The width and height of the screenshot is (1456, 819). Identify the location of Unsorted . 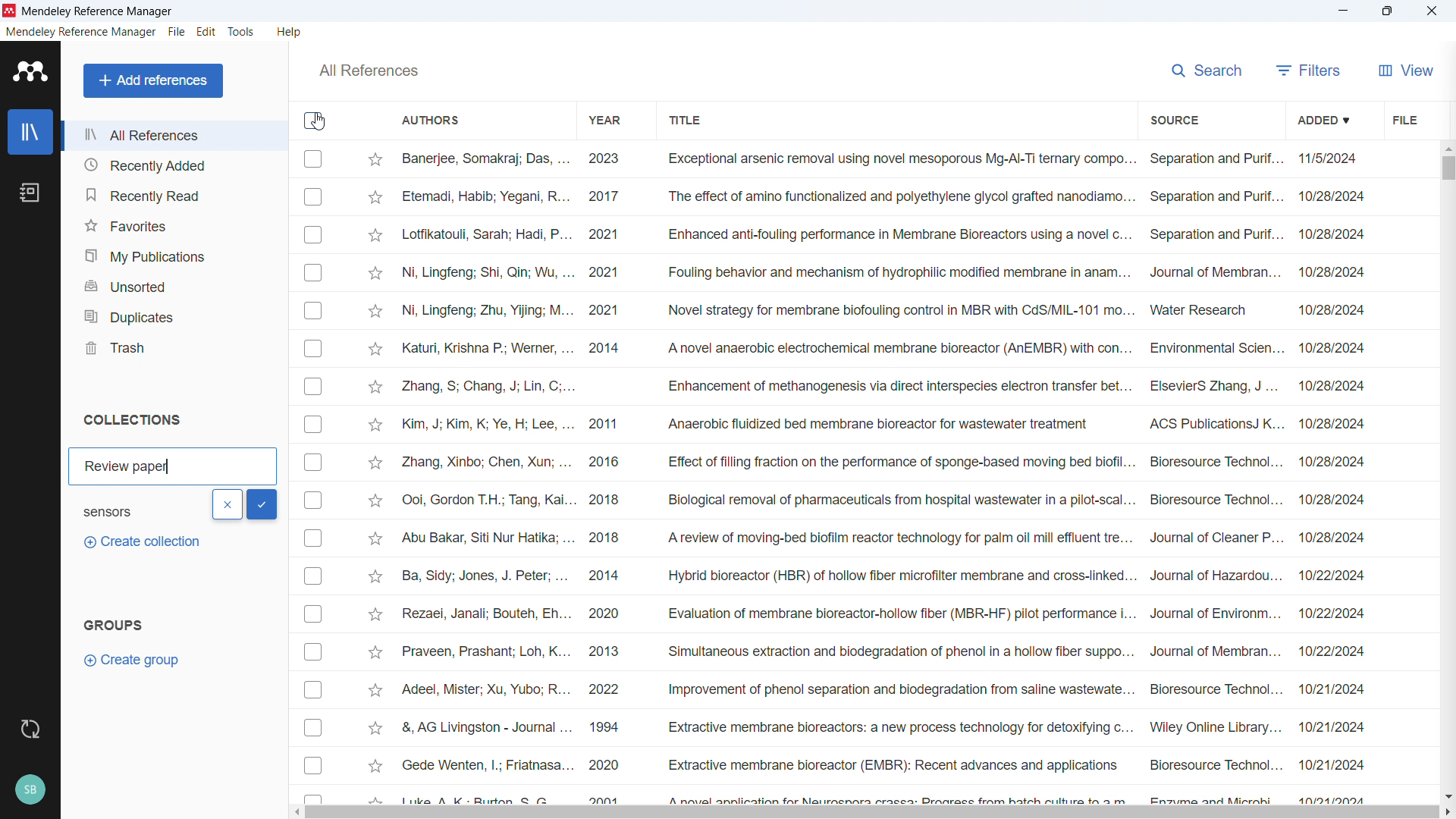
(173, 285).